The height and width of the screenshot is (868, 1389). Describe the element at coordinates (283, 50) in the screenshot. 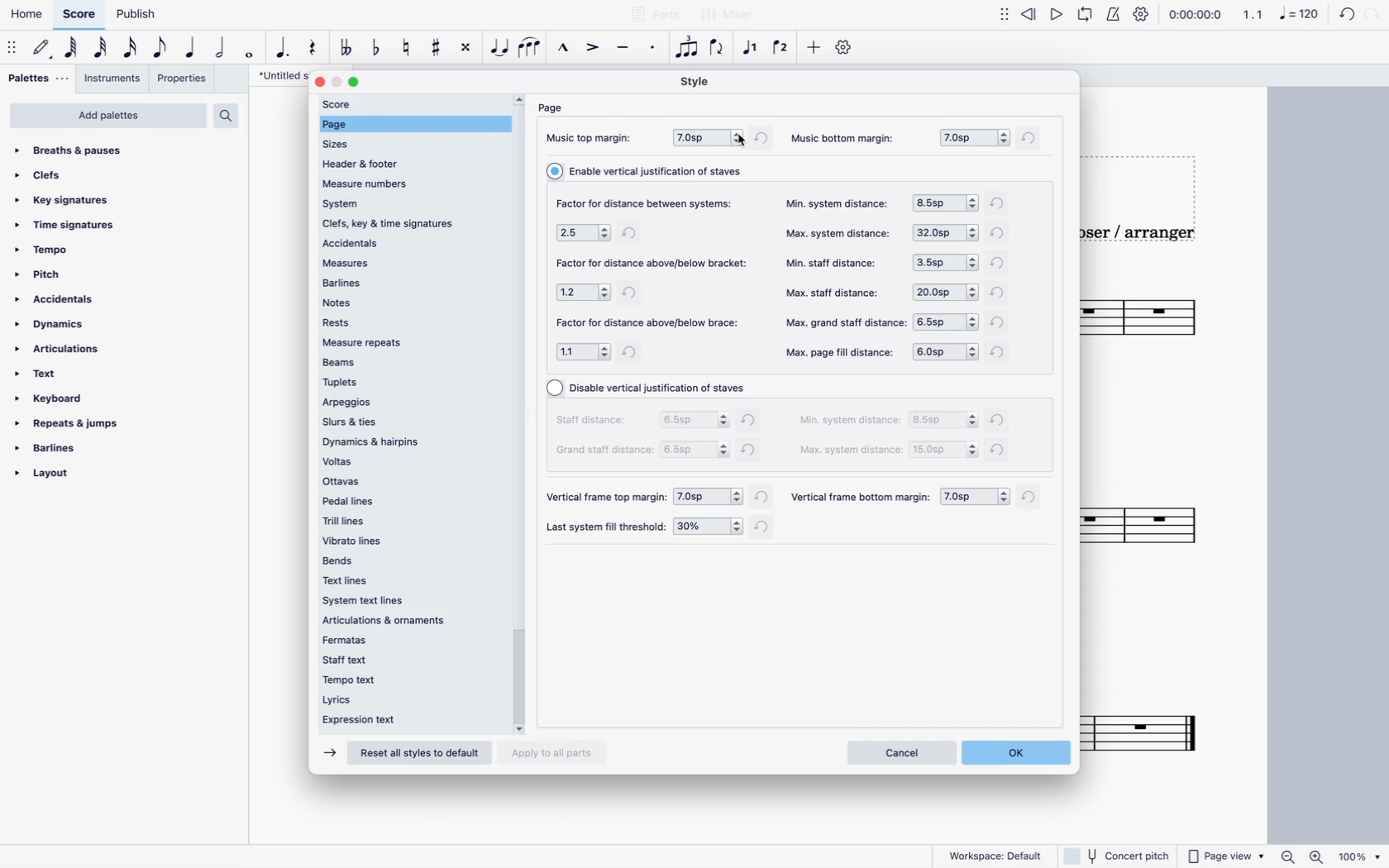

I see `augmentation dot` at that location.